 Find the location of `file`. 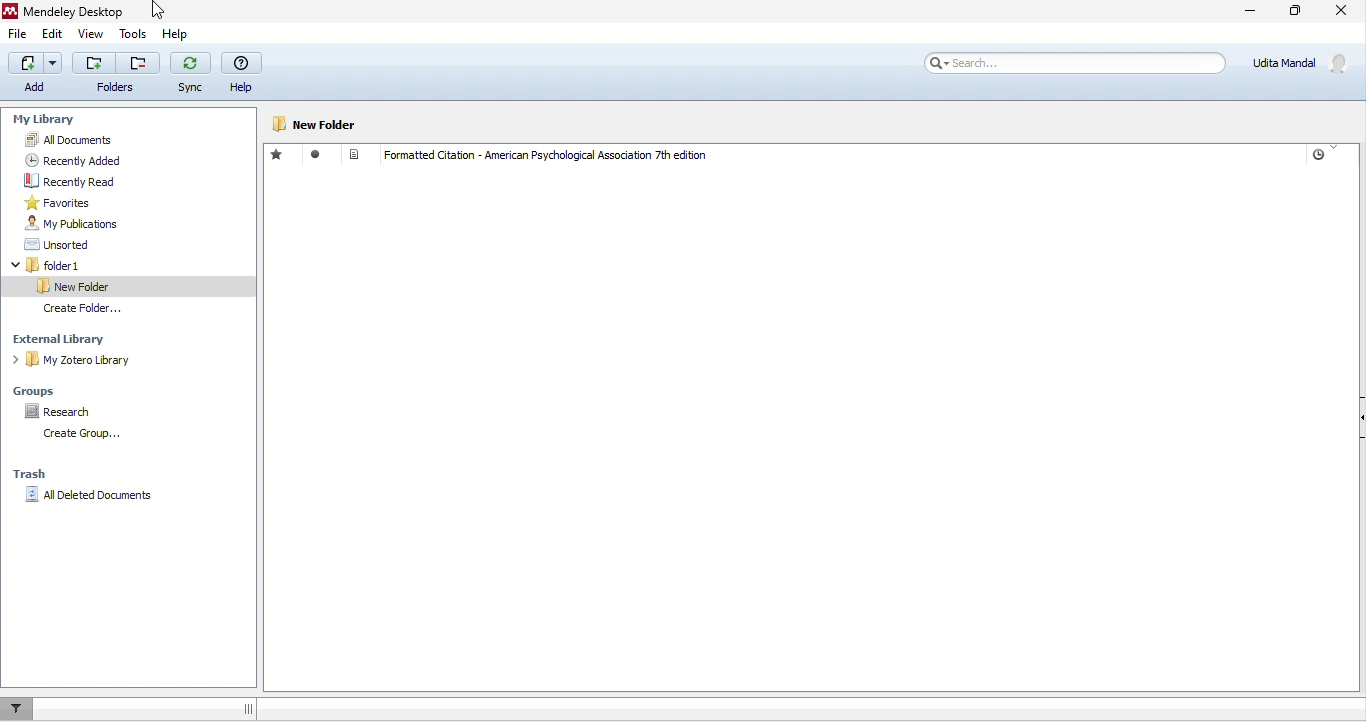

file is located at coordinates (15, 34).